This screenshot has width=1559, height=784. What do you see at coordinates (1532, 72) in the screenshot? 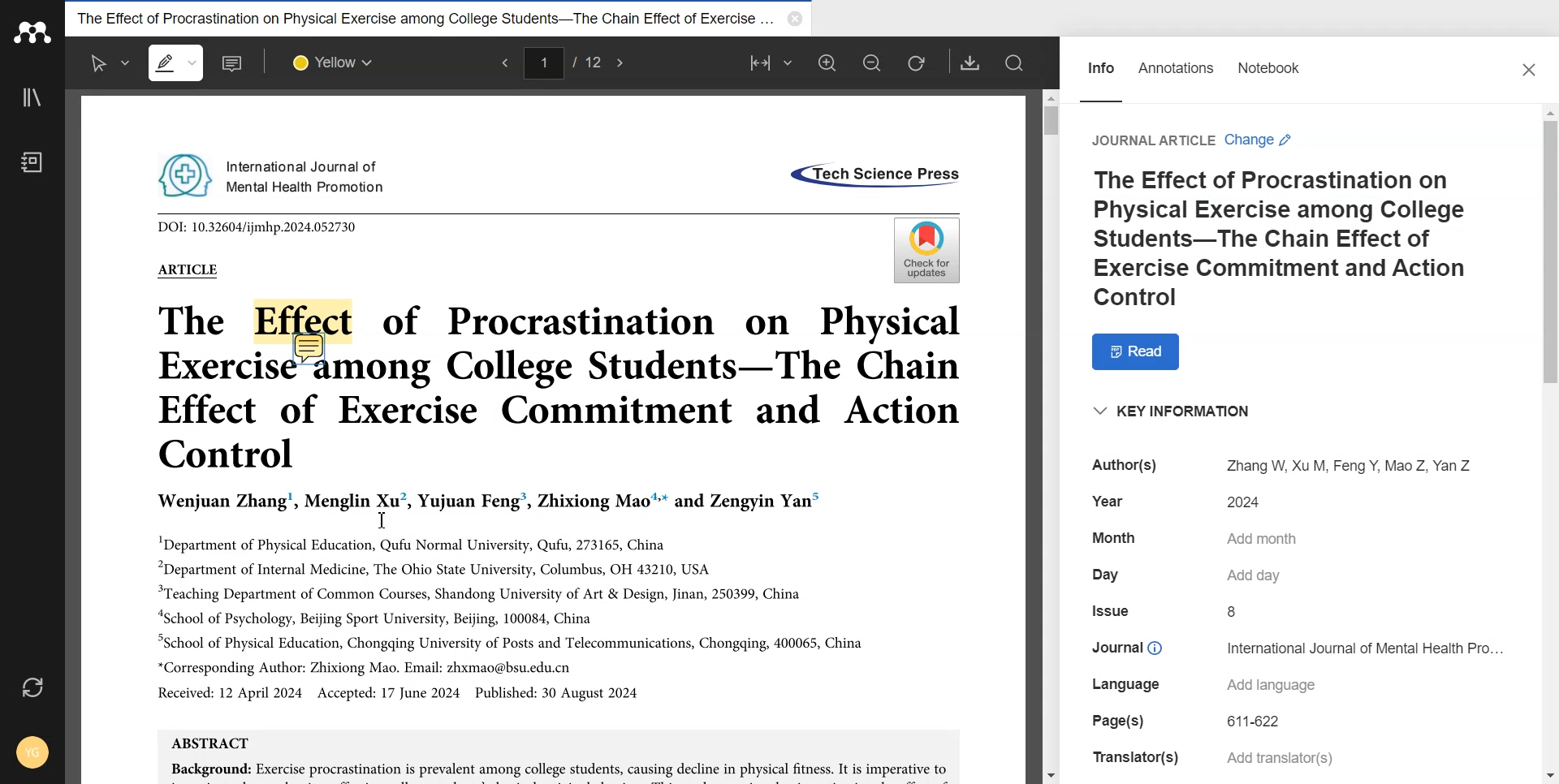
I see `Close` at bounding box center [1532, 72].